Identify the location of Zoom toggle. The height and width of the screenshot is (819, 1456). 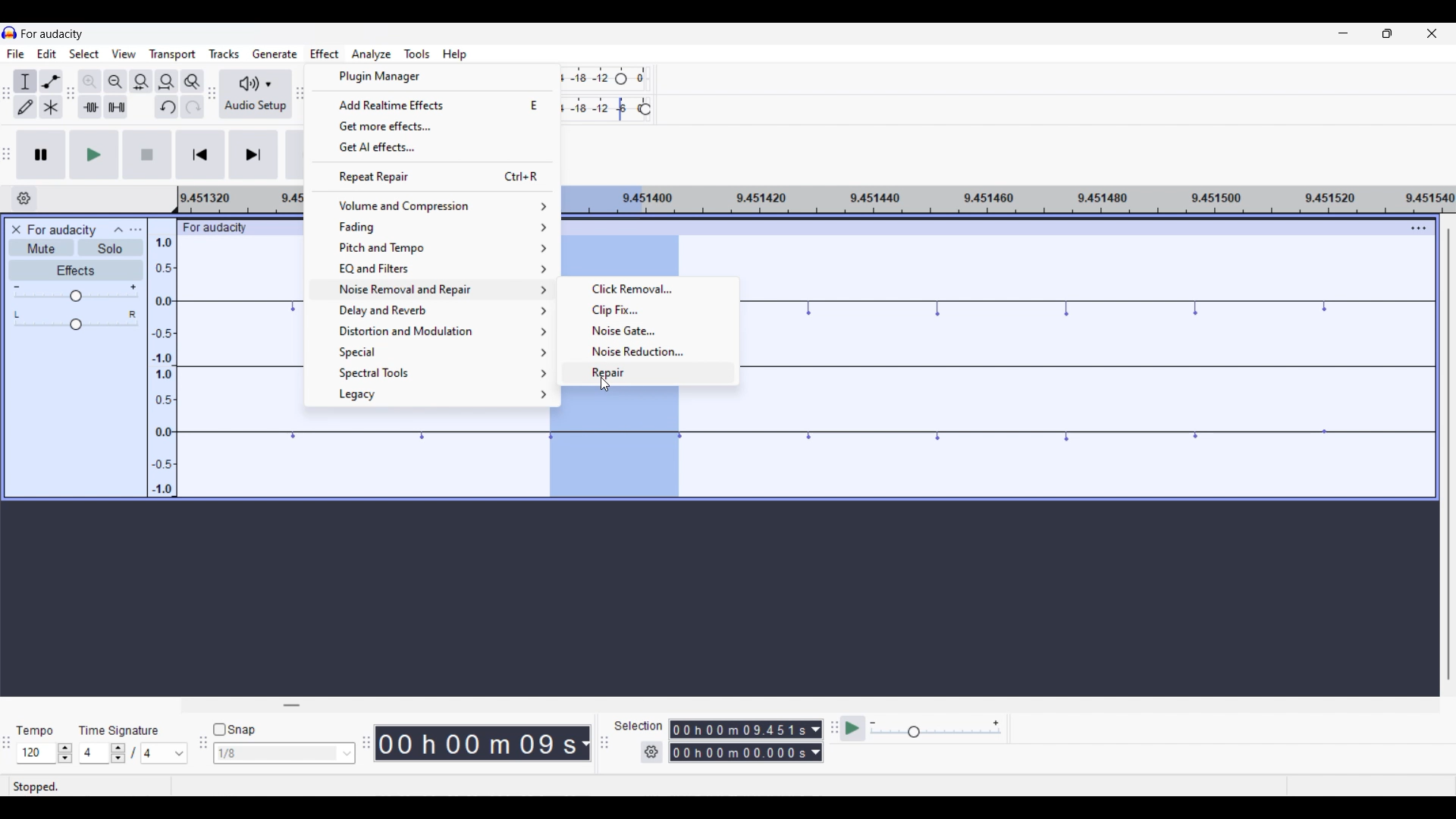
(193, 81).